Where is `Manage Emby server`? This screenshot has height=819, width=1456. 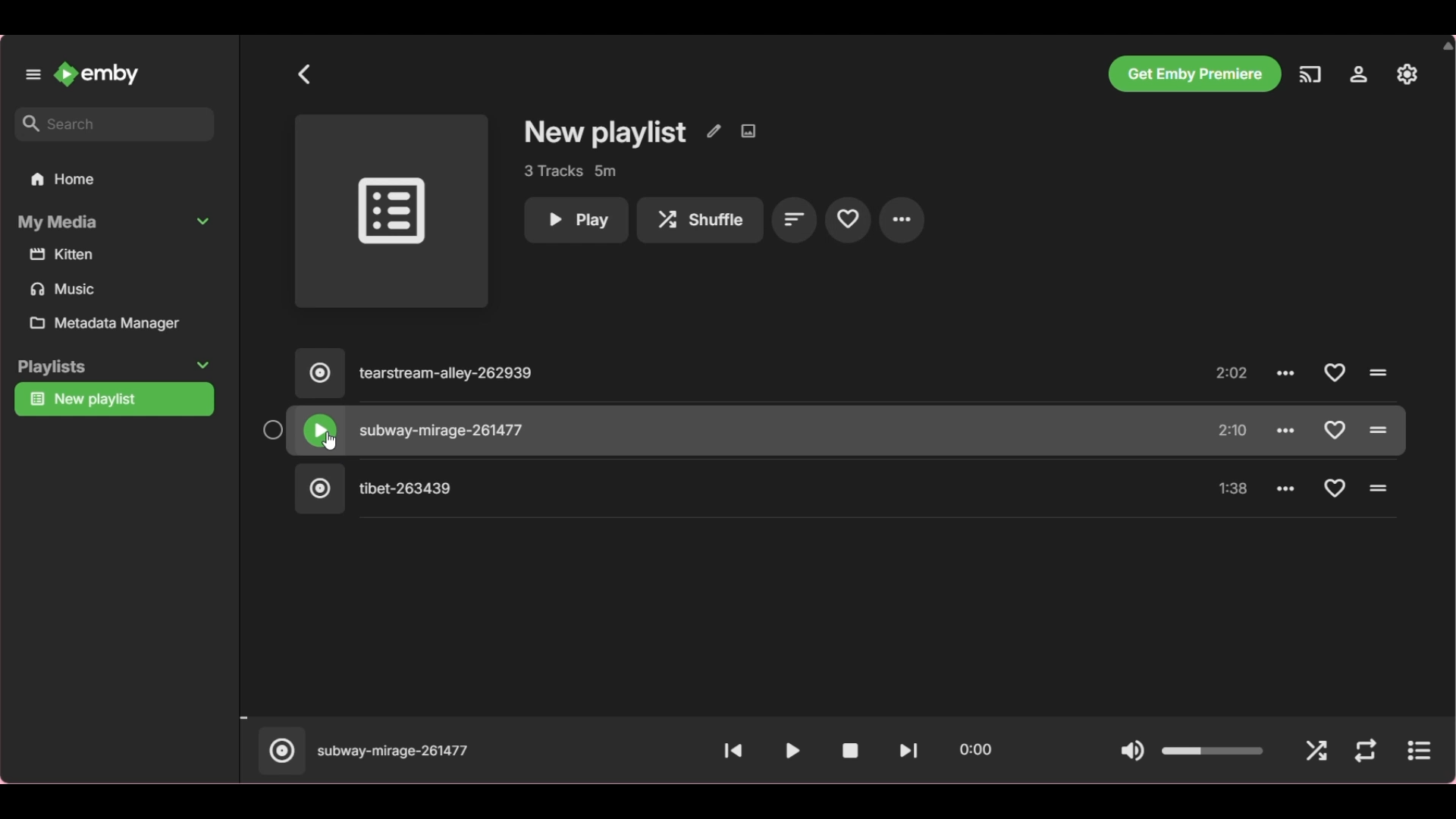
Manage Emby server is located at coordinates (1407, 74).